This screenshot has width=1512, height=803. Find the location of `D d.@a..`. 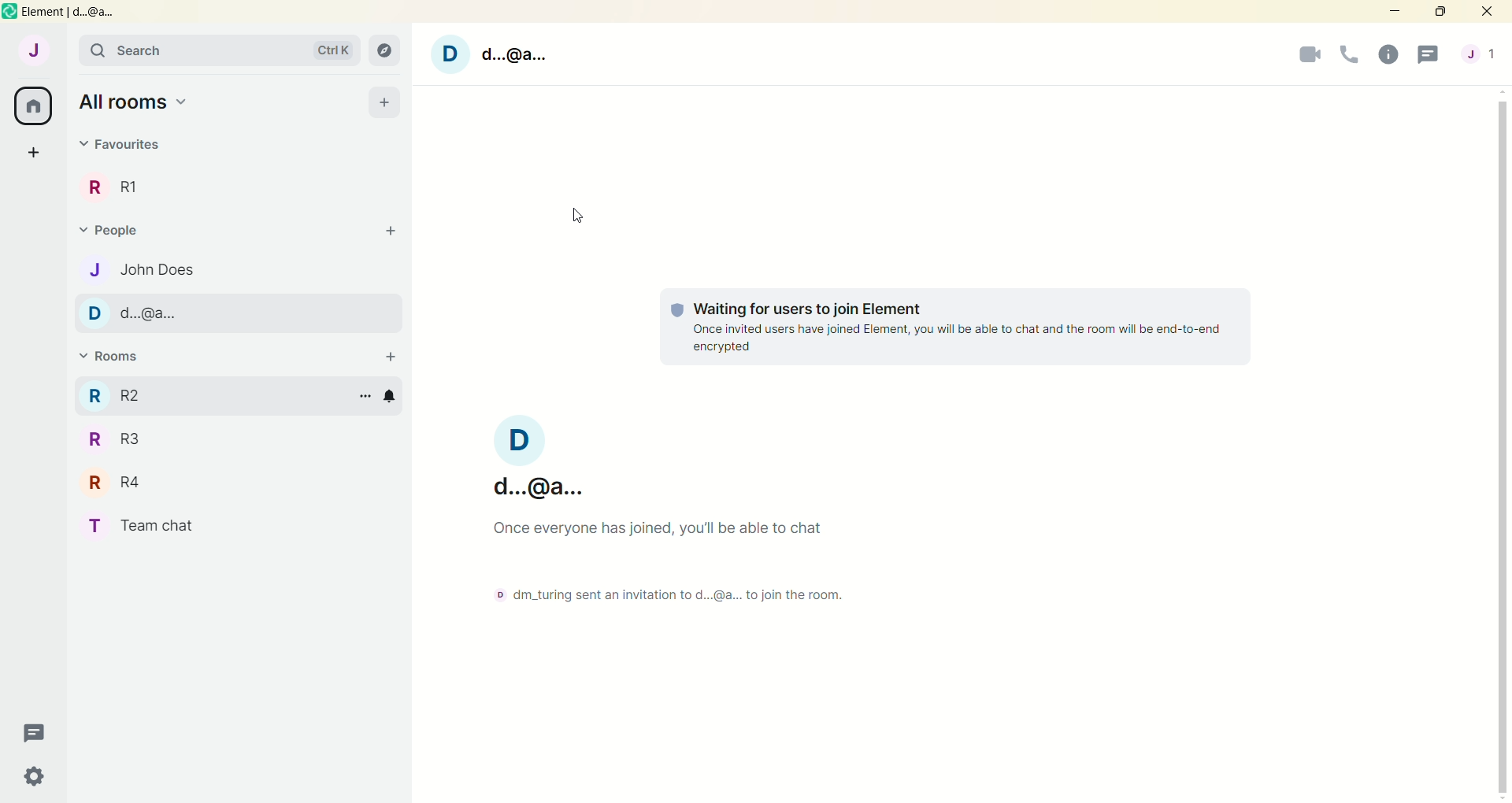

D d.@a.. is located at coordinates (145, 314).